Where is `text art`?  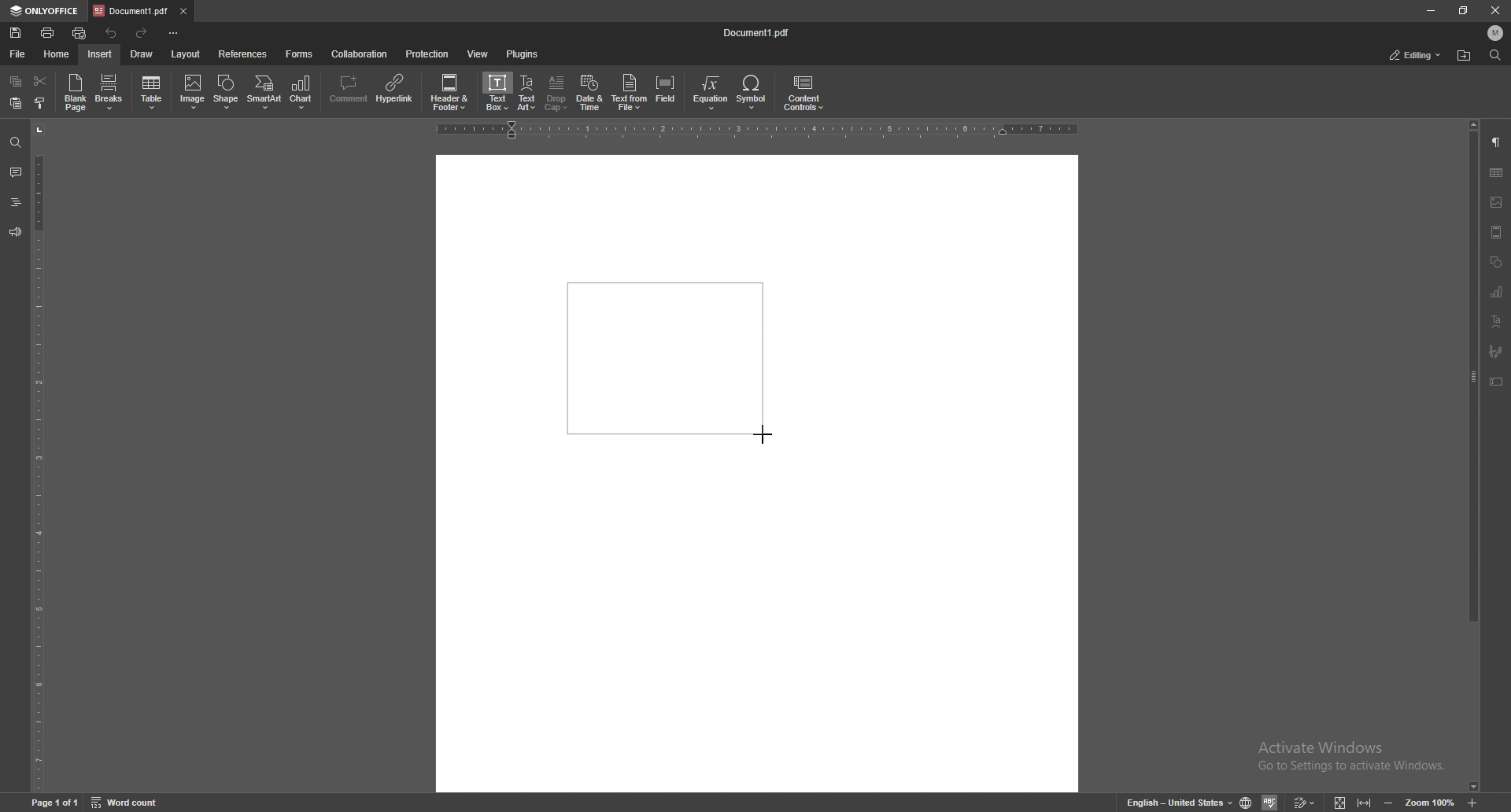 text art is located at coordinates (1496, 321).